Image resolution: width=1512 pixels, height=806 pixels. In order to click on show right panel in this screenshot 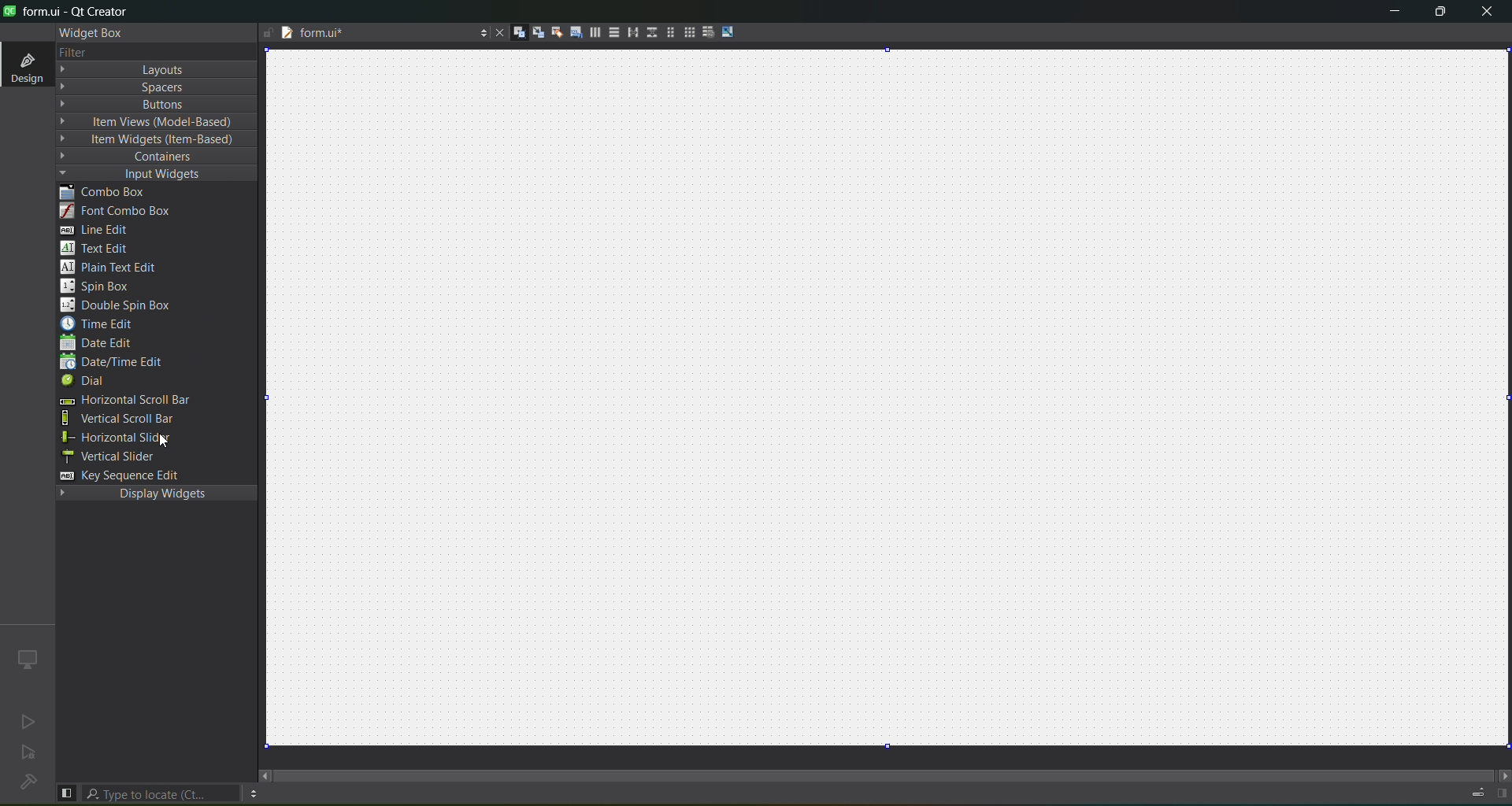, I will do `click(1503, 790)`.